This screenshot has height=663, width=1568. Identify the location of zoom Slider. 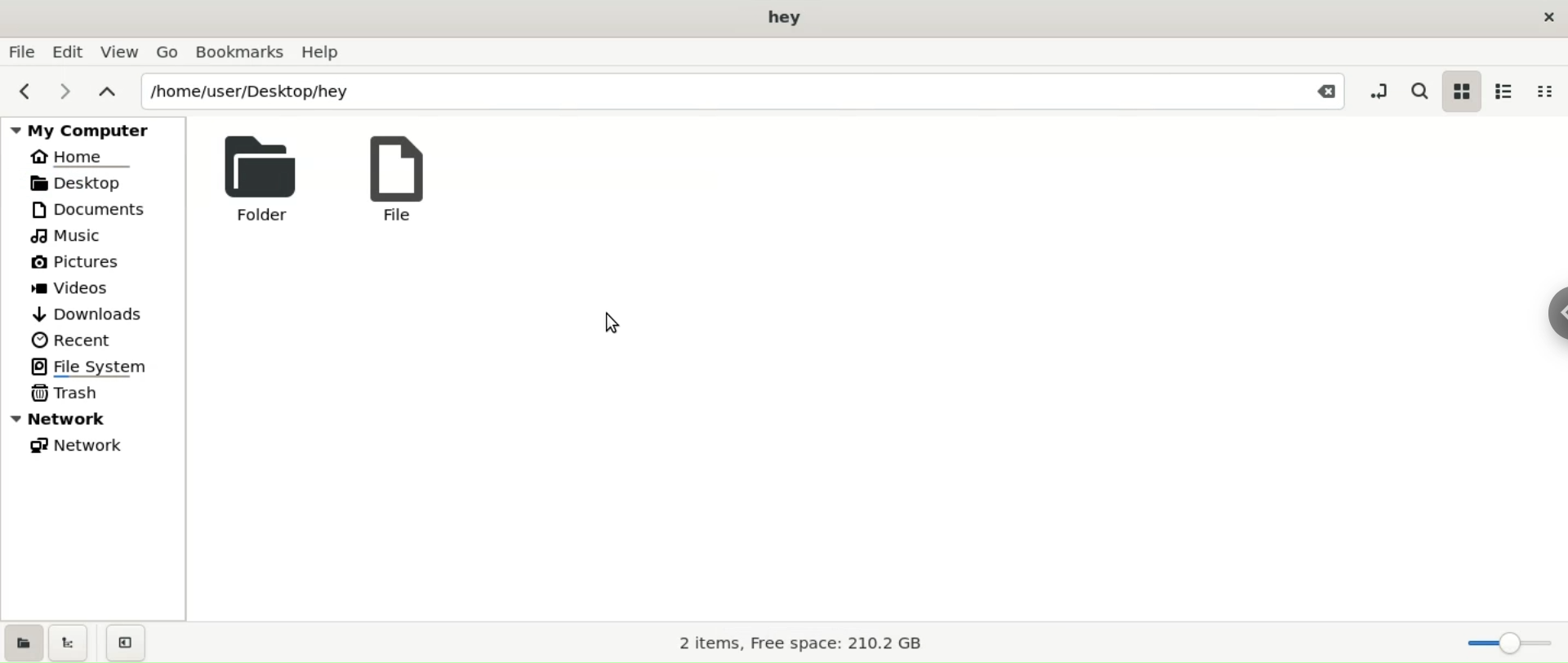
(1510, 642).